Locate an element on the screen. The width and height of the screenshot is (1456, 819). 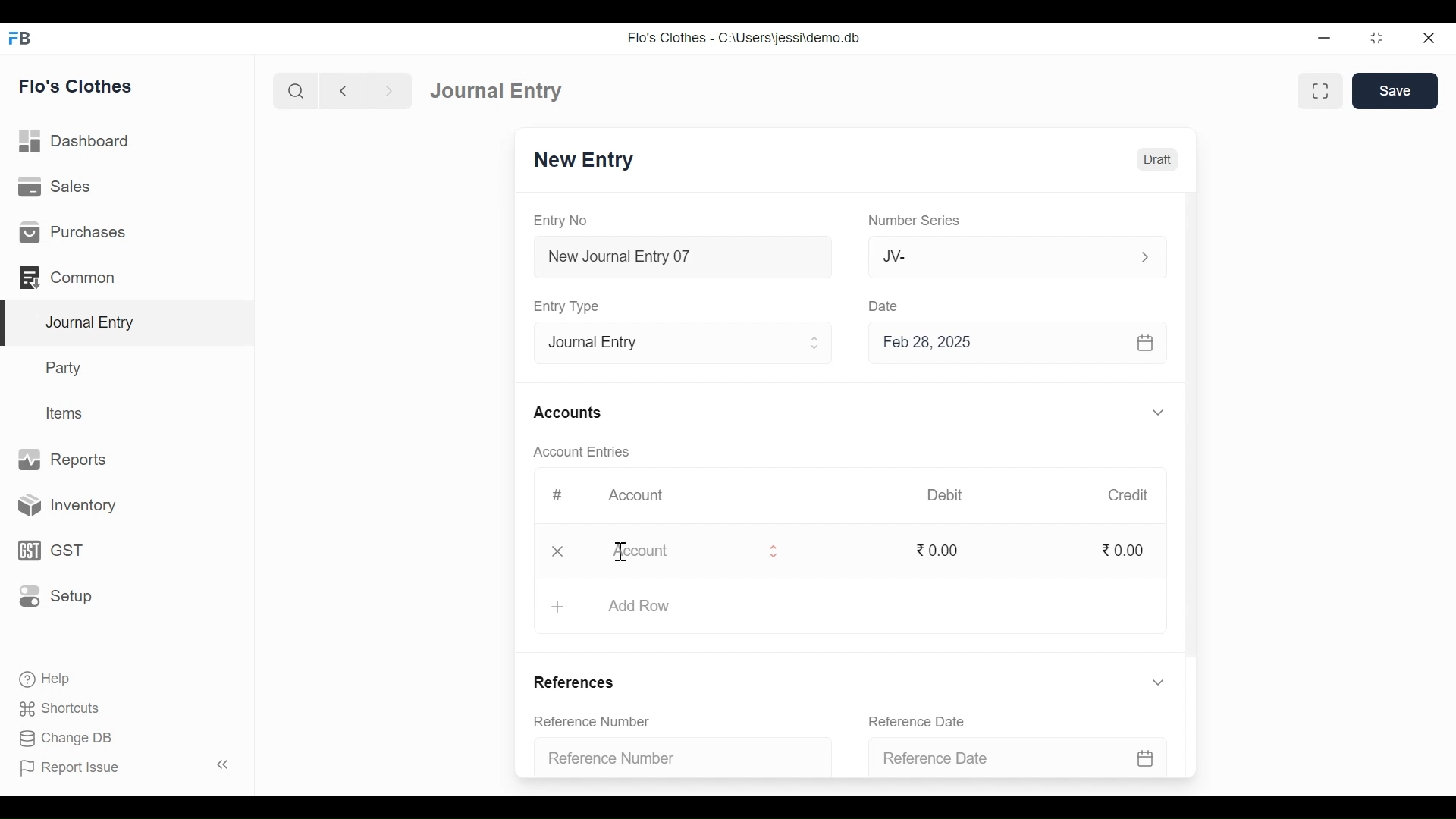
# is located at coordinates (558, 494).